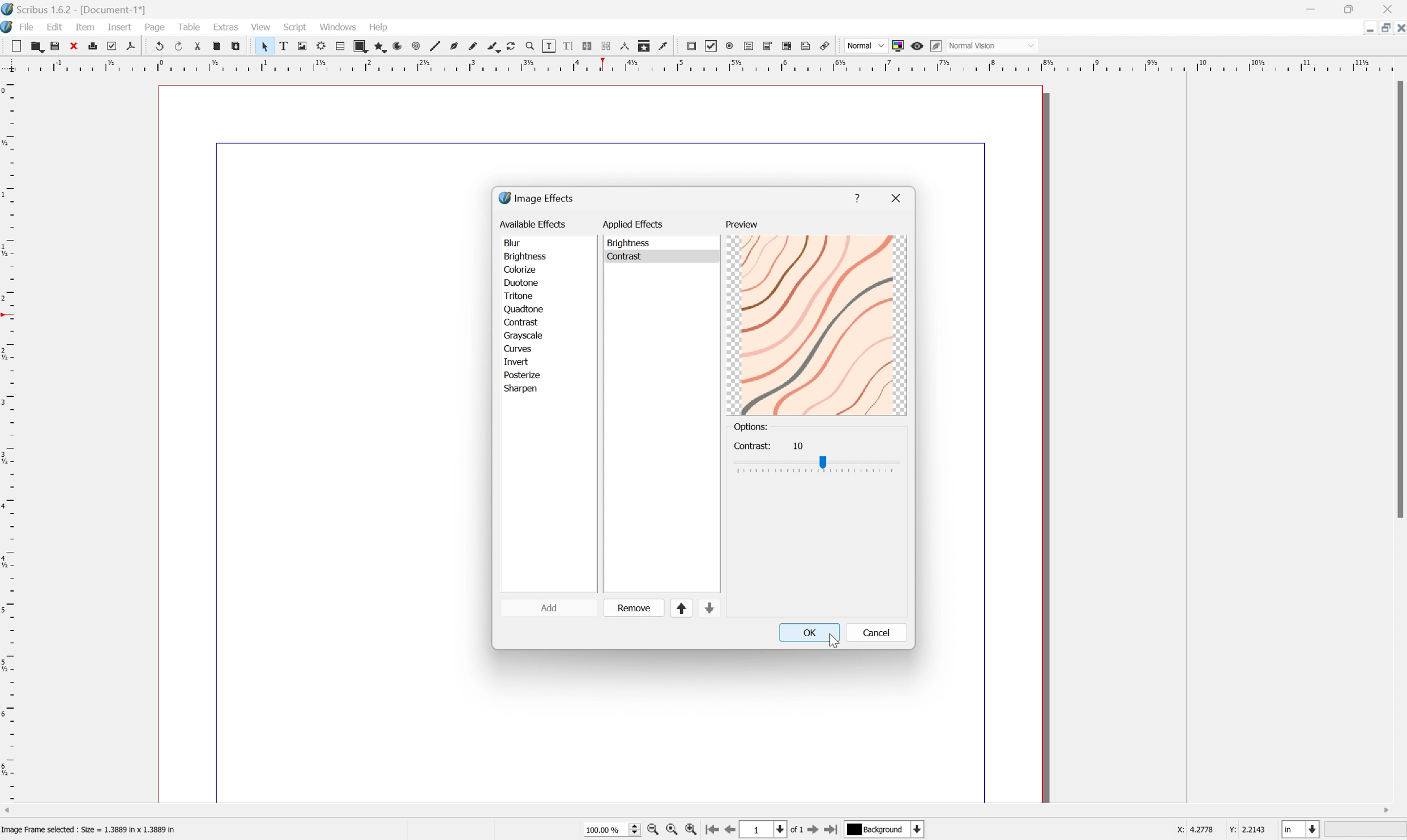  What do you see at coordinates (9, 27) in the screenshot?
I see `Scribus` at bounding box center [9, 27].